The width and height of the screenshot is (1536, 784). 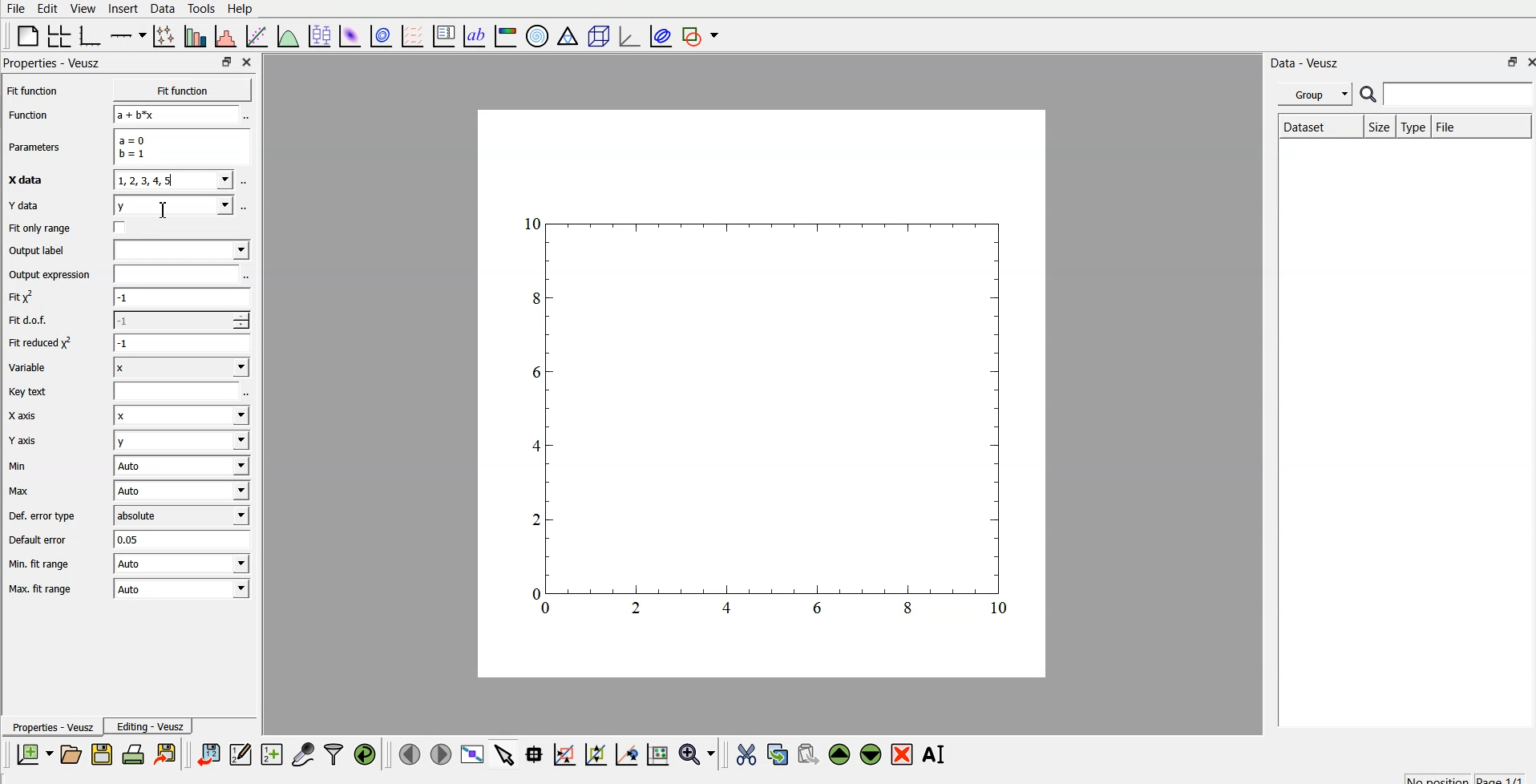 What do you see at coordinates (183, 416) in the screenshot?
I see `` at bounding box center [183, 416].